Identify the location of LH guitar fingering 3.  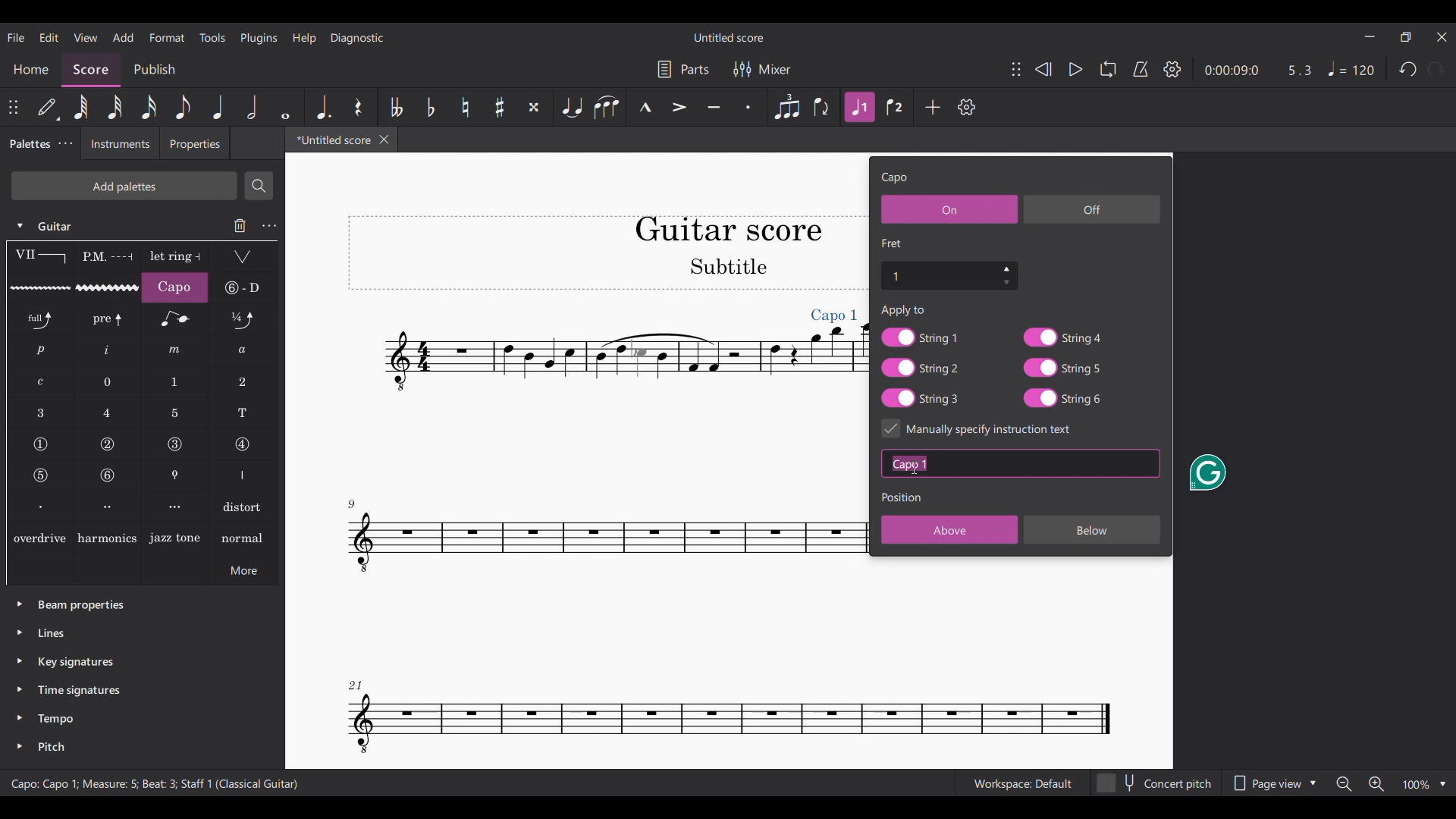
(40, 413).